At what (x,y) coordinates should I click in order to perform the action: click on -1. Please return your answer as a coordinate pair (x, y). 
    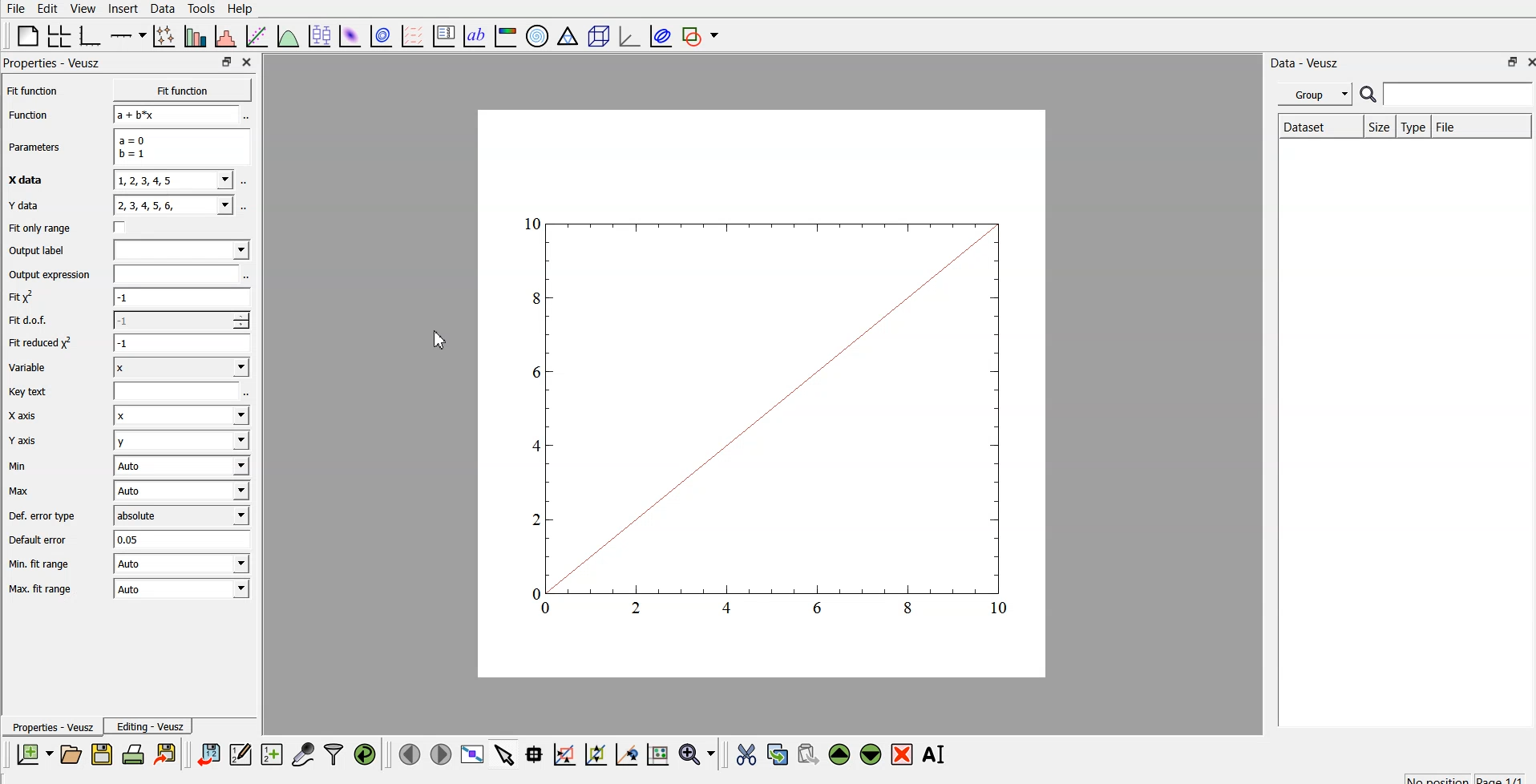
    Looking at the image, I should click on (180, 298).